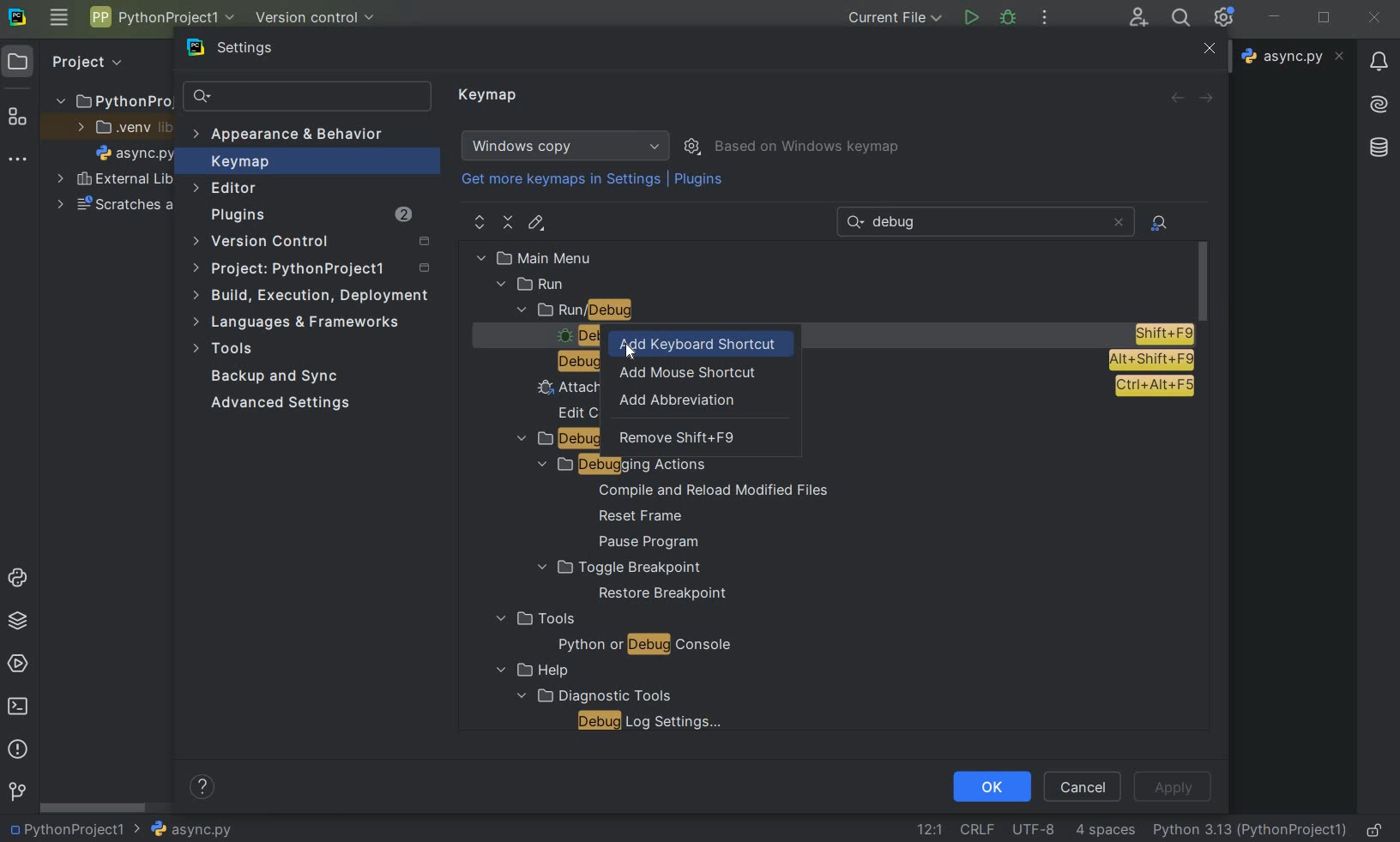 Image resolution: width=1400 pixels, height=842 pixels. What do you see at coordinates (664, 594) in the screenshot?
I see `restore breakpoint` at bounding box center [664, 594].